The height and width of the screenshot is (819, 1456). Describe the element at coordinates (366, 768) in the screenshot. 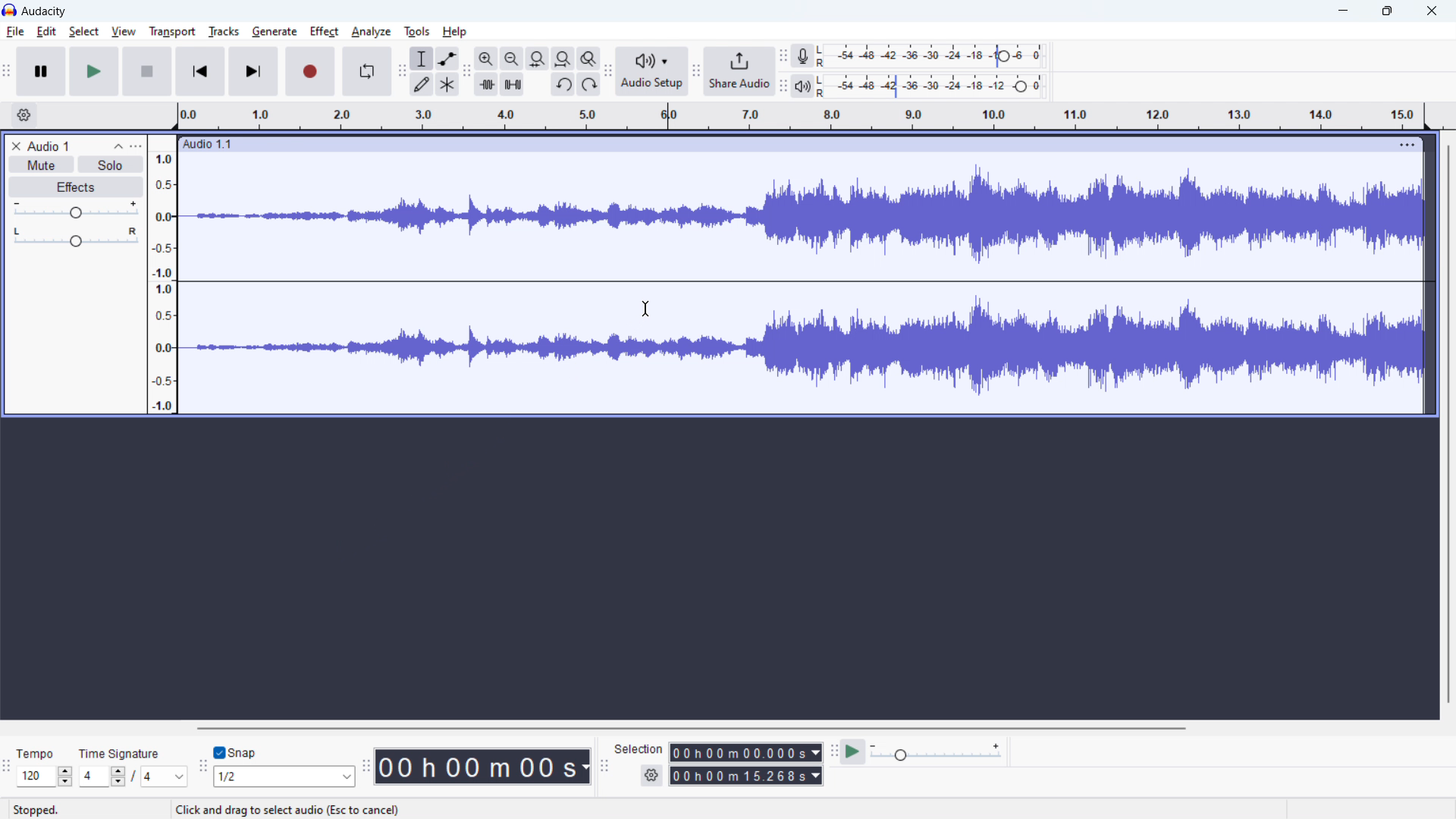

I see `time toolbar` at that location.